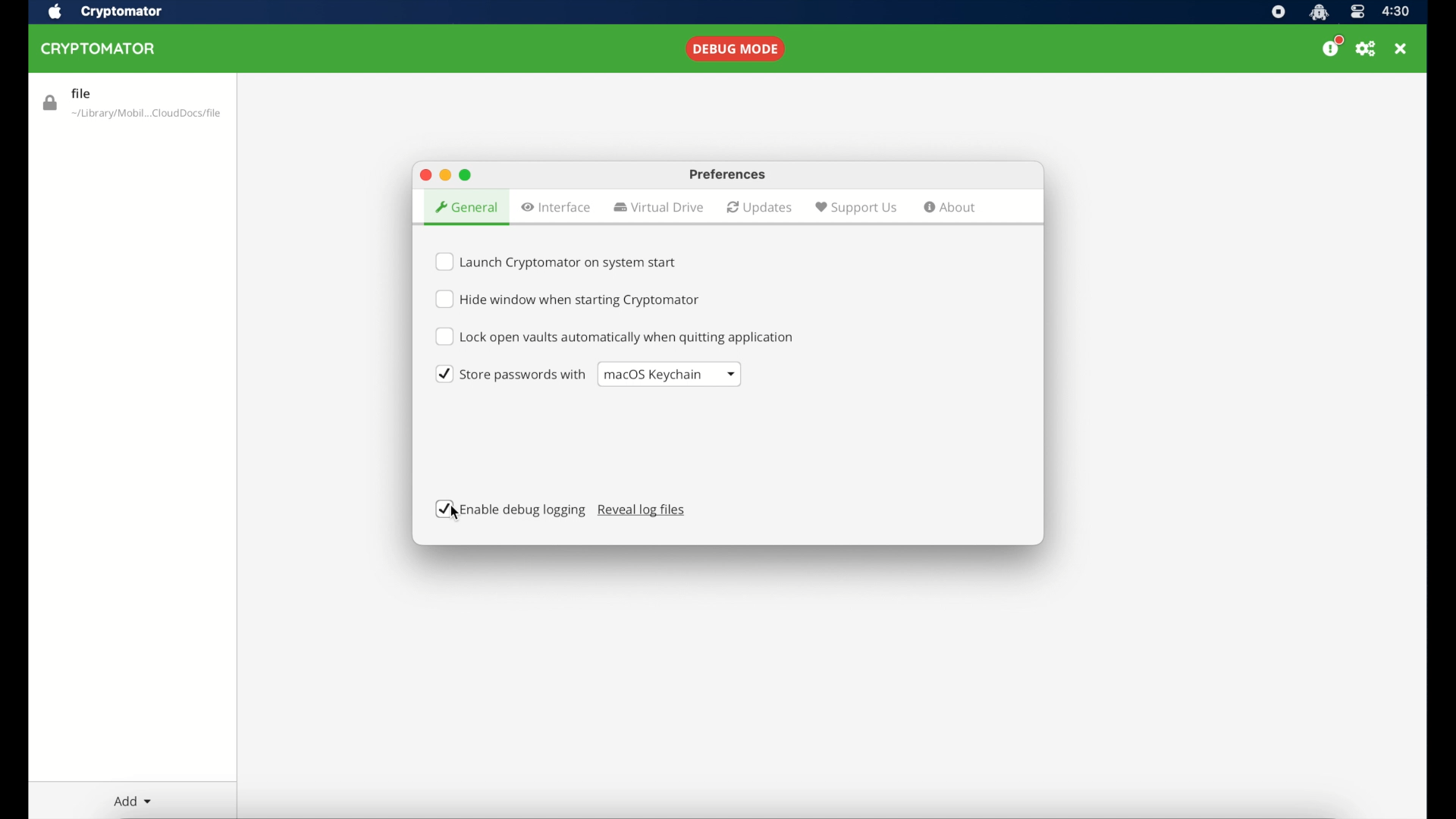 The width and height of the screenshot is (1456, 819). What do you see at coordinates (445, 175) in the screenshot?
I see `minimize` at bounding box center [445, 175].